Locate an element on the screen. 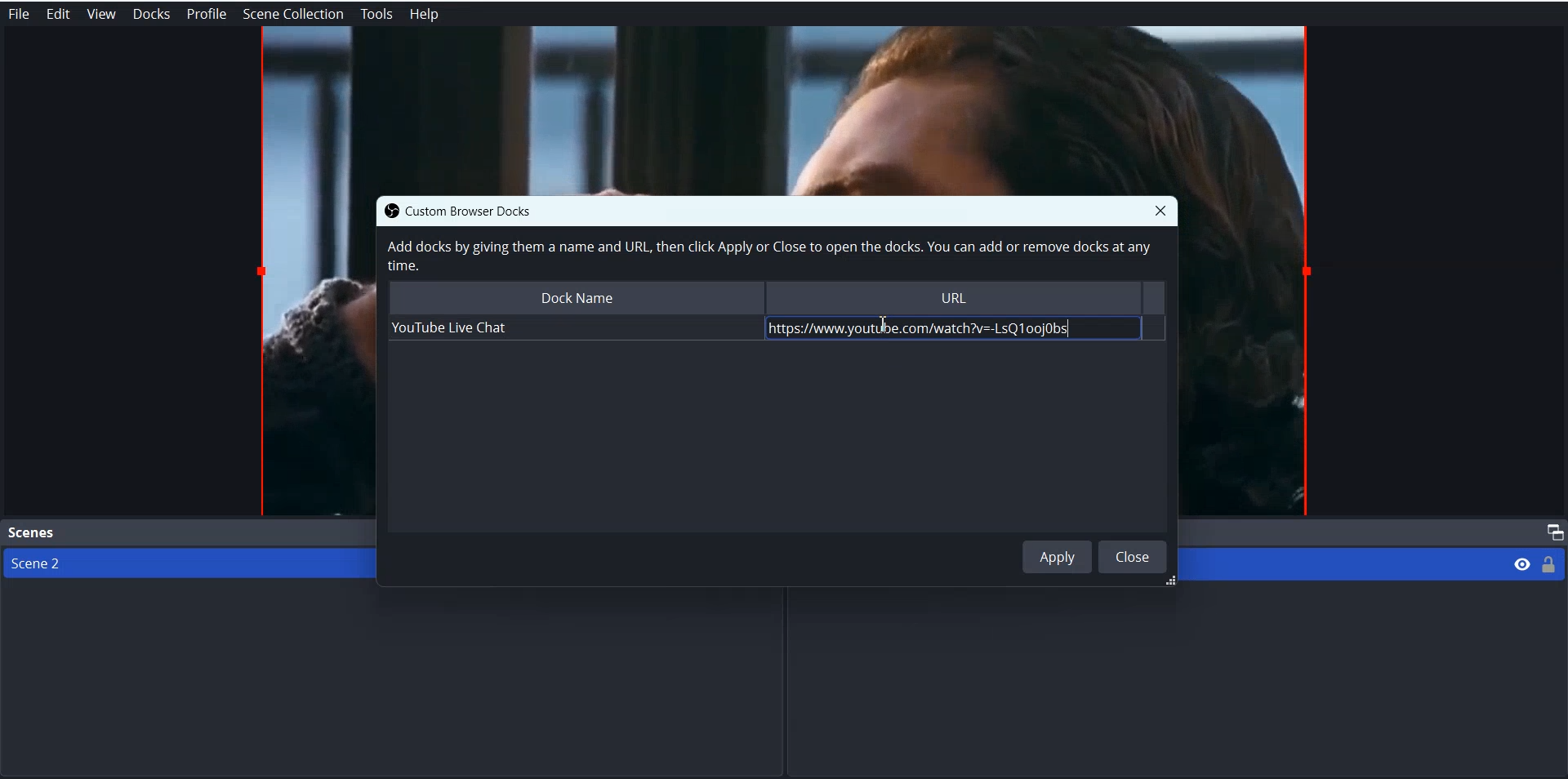 Image resolution: width=1568 pixels, height=779 pixels. Profile is located at coordinates (207, 14).